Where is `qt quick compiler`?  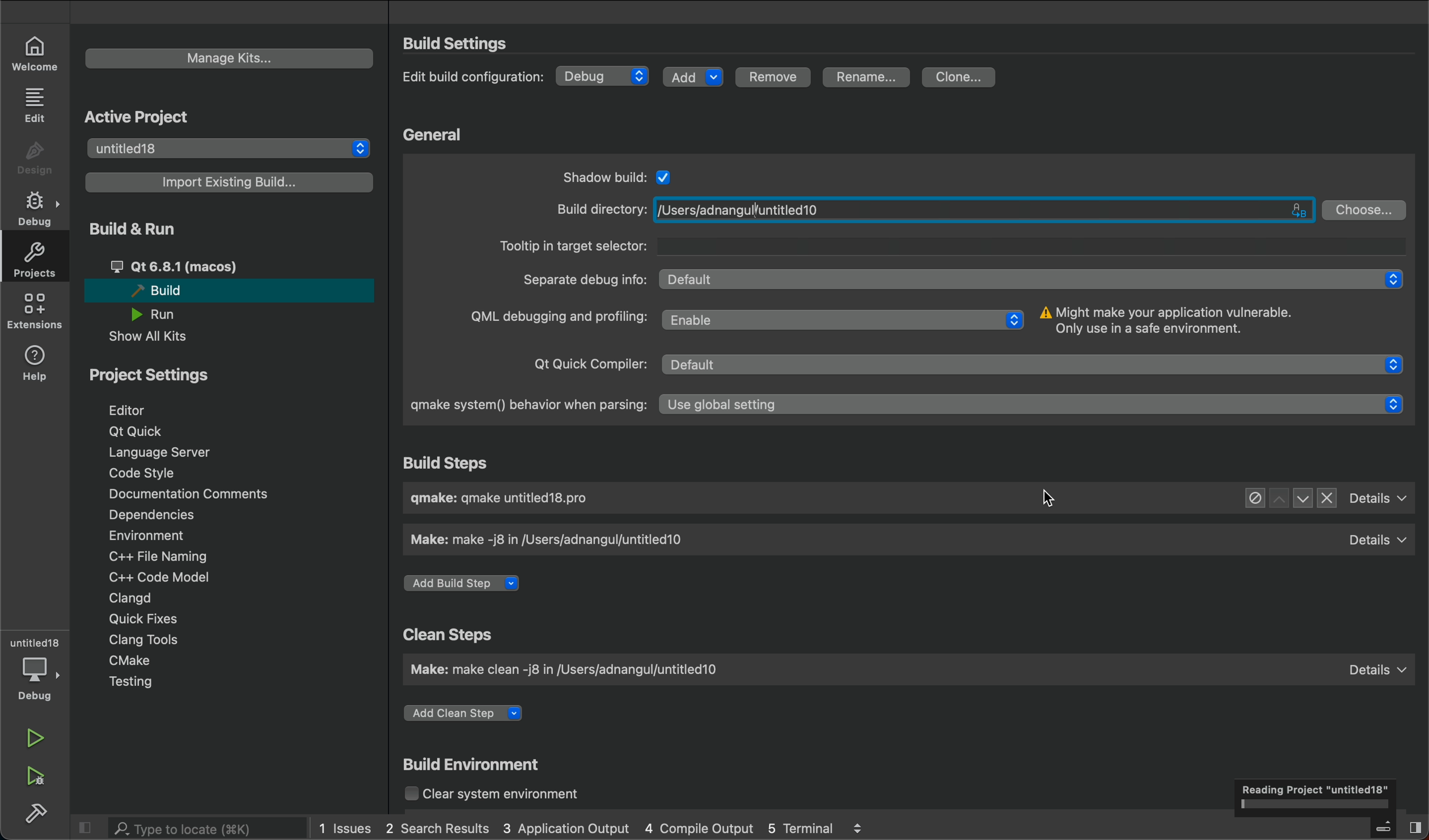 qt quick compiler is located at coordinates (582, 366).